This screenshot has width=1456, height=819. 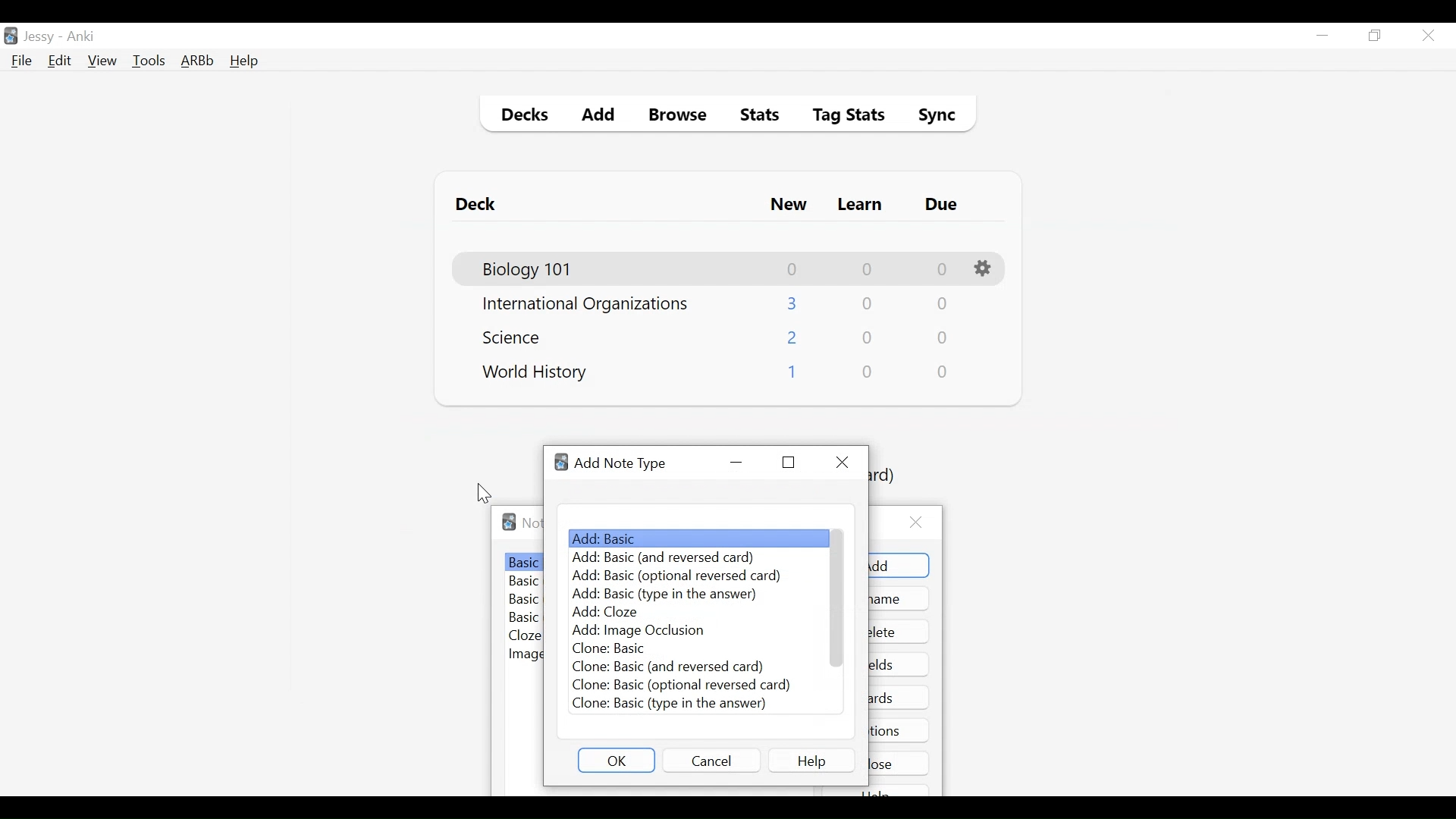 What do you see at coordinates (479, 205) in the screenshot?
I see `Deck` at bounding box center [479, 205].